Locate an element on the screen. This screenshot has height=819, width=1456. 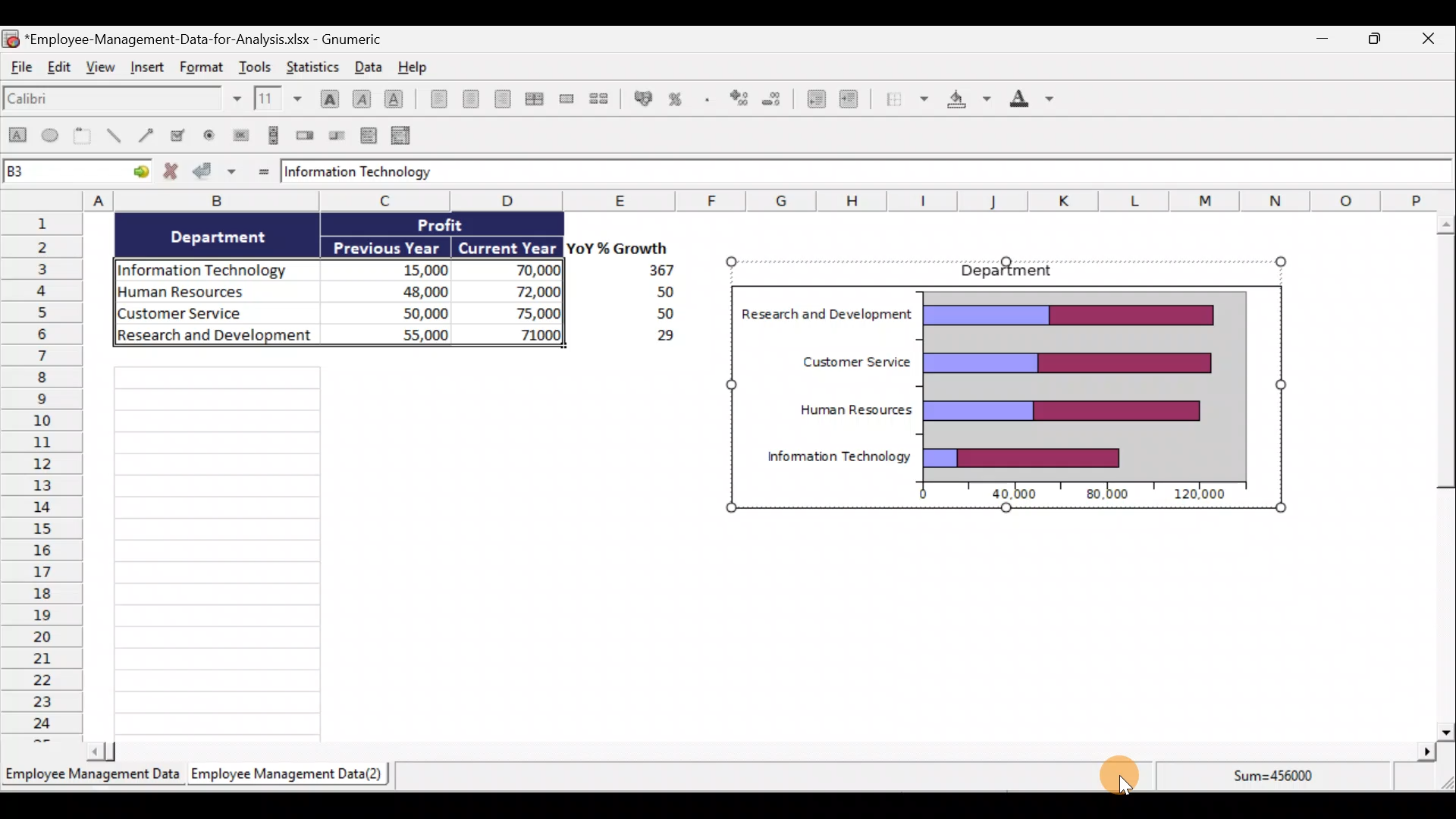
Foreground is located at coordinates (1027, 102).